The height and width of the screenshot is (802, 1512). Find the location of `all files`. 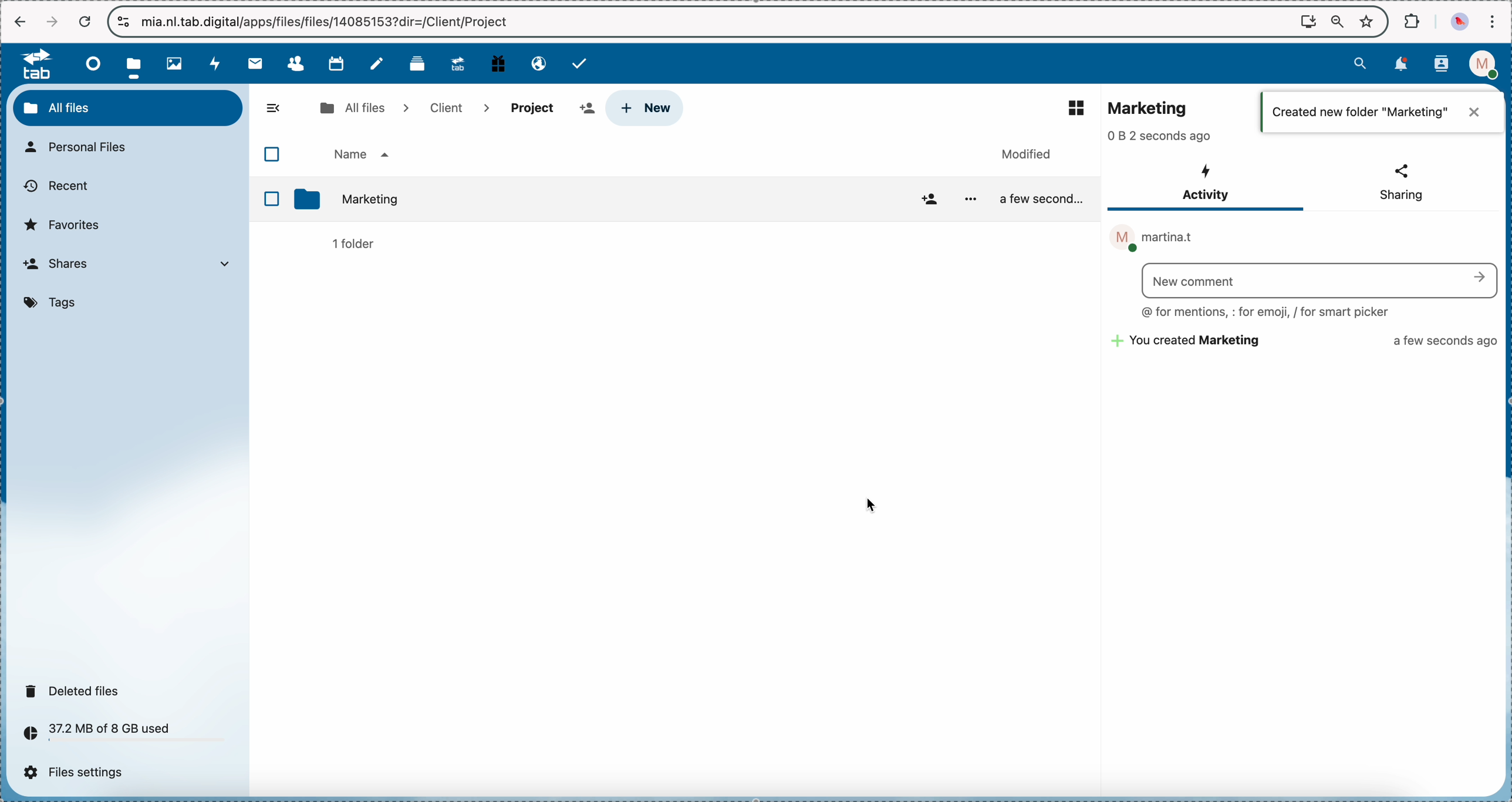

all files is located at coordinates (128, 107).